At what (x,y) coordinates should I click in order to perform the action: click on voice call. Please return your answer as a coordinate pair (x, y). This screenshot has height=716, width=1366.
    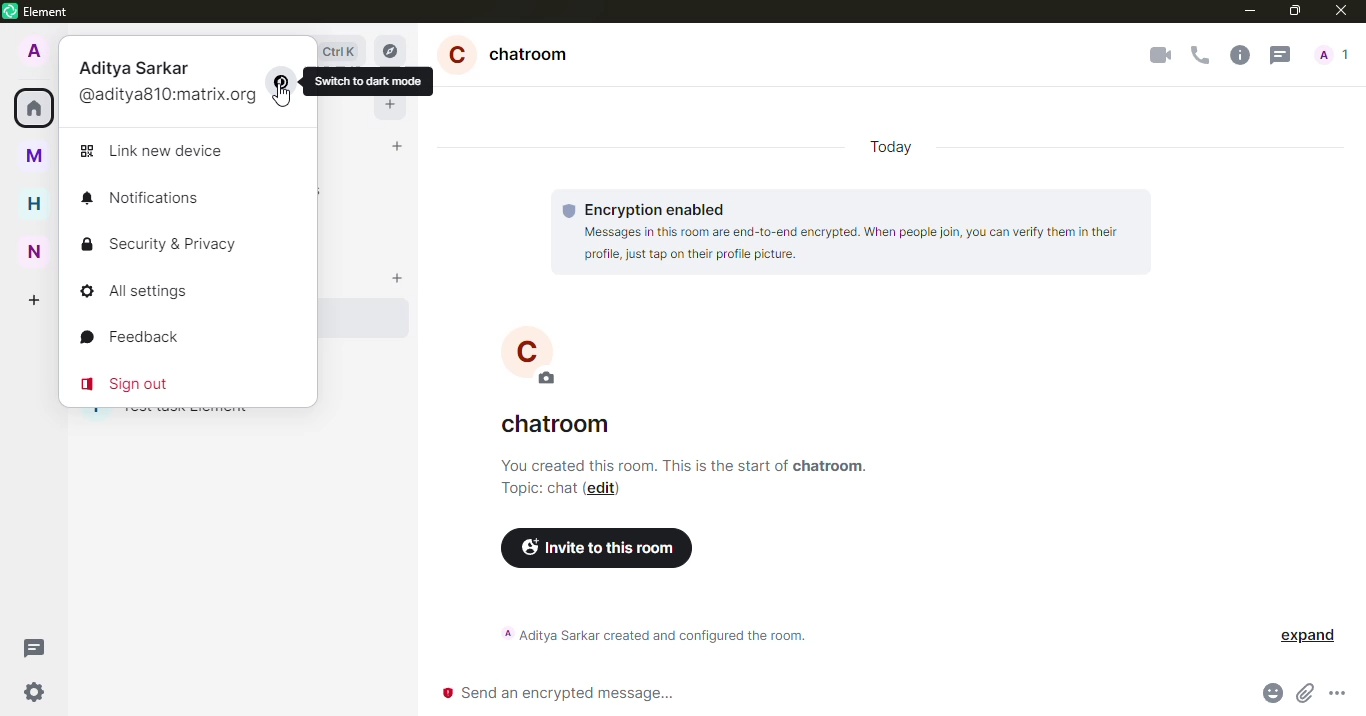
    Looking at the image, I should click on (1198, 54).